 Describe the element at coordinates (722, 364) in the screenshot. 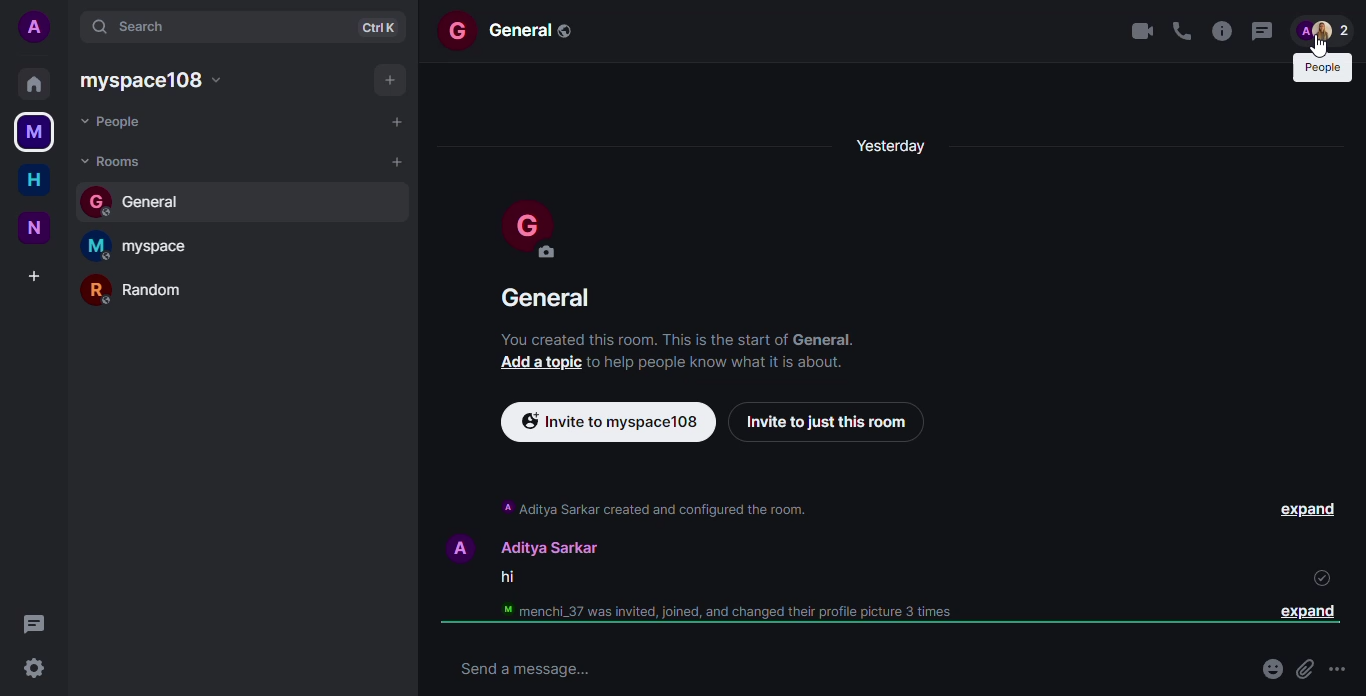

I see `to help people Know what It Is about.` at that location.